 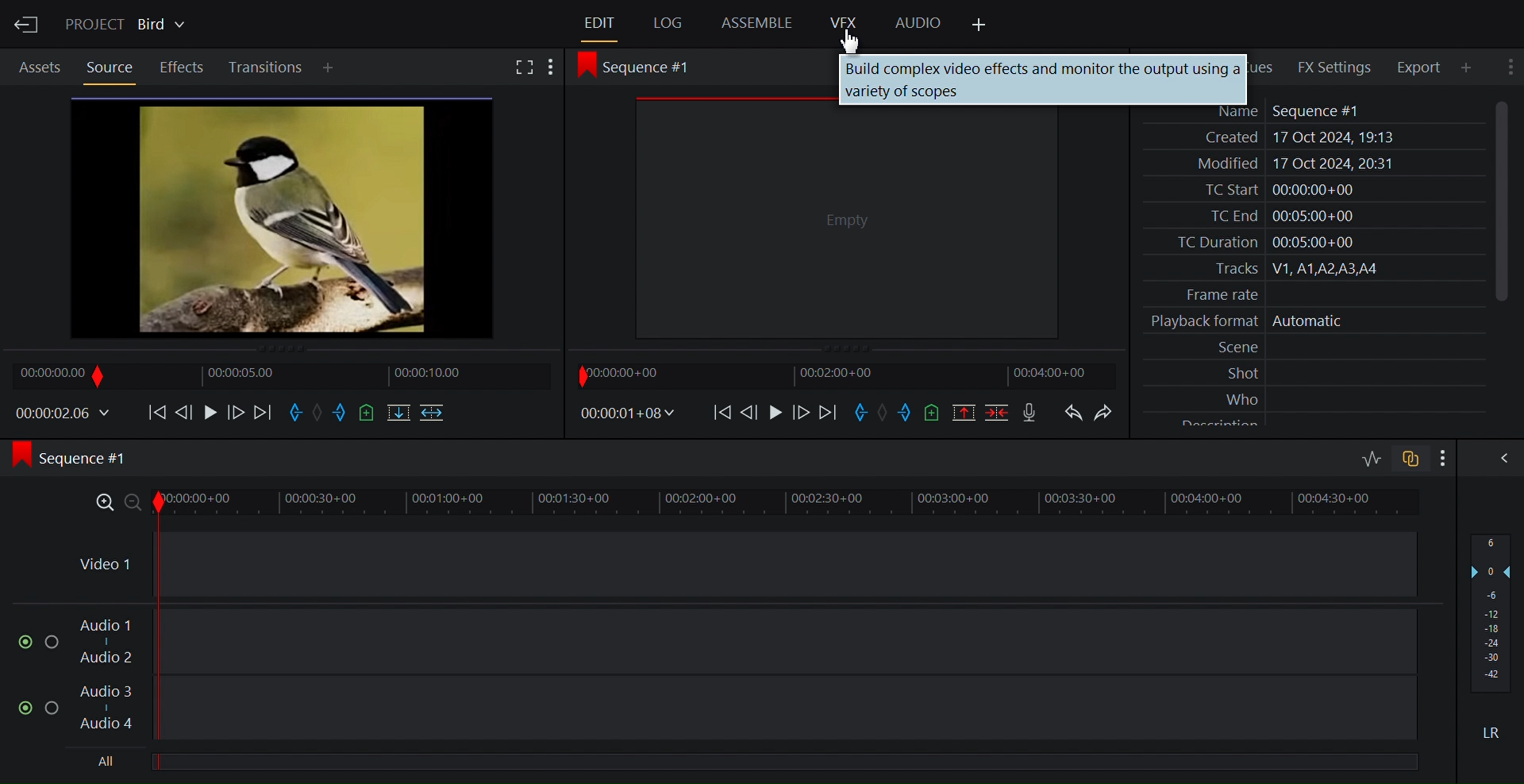 What do you see at coordinates (1503, 202) in the screenshot?
I see `Vertical Scroll bar` at bounding box center [1503, 202].